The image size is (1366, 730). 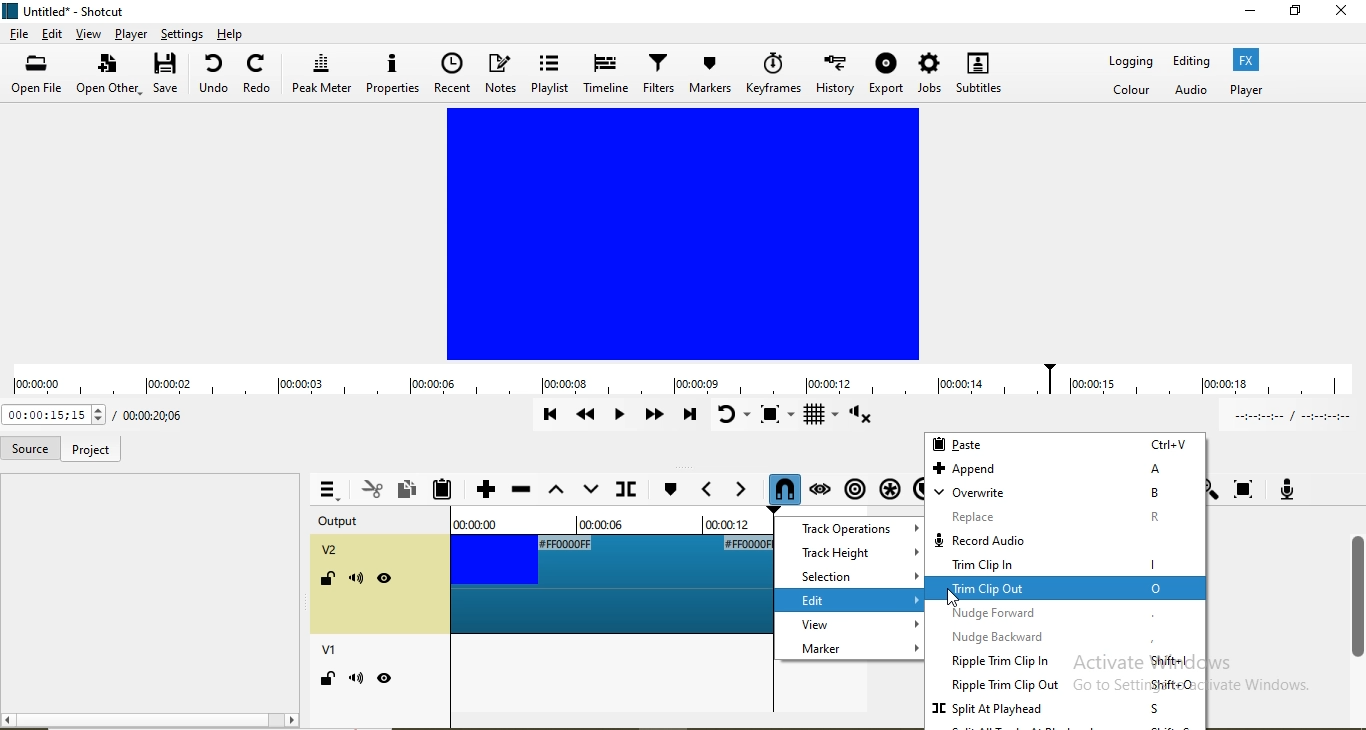 I want to click on In point, so click(x=1286, y=416).